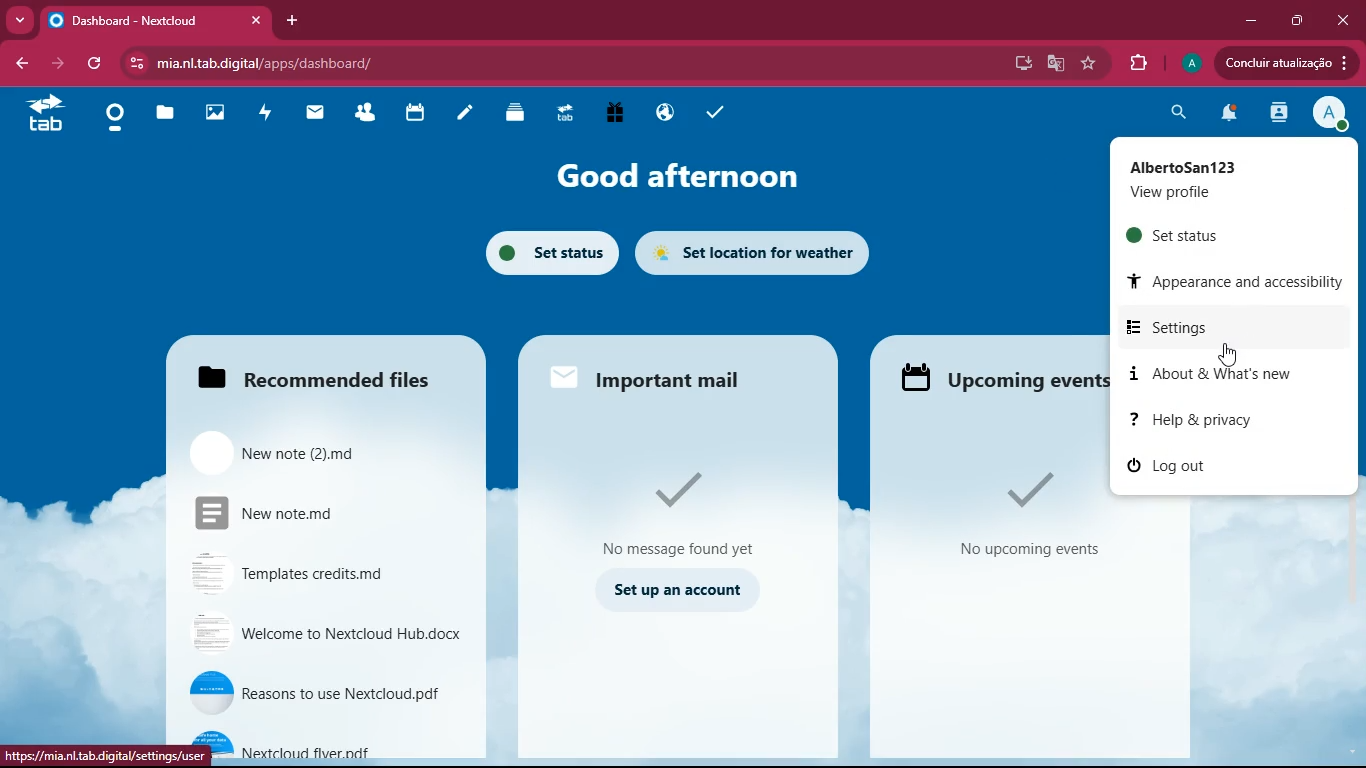 Image resolution: width=1366 pixels, height=768 pixels. I want to click on settings, so click(1244, 327).